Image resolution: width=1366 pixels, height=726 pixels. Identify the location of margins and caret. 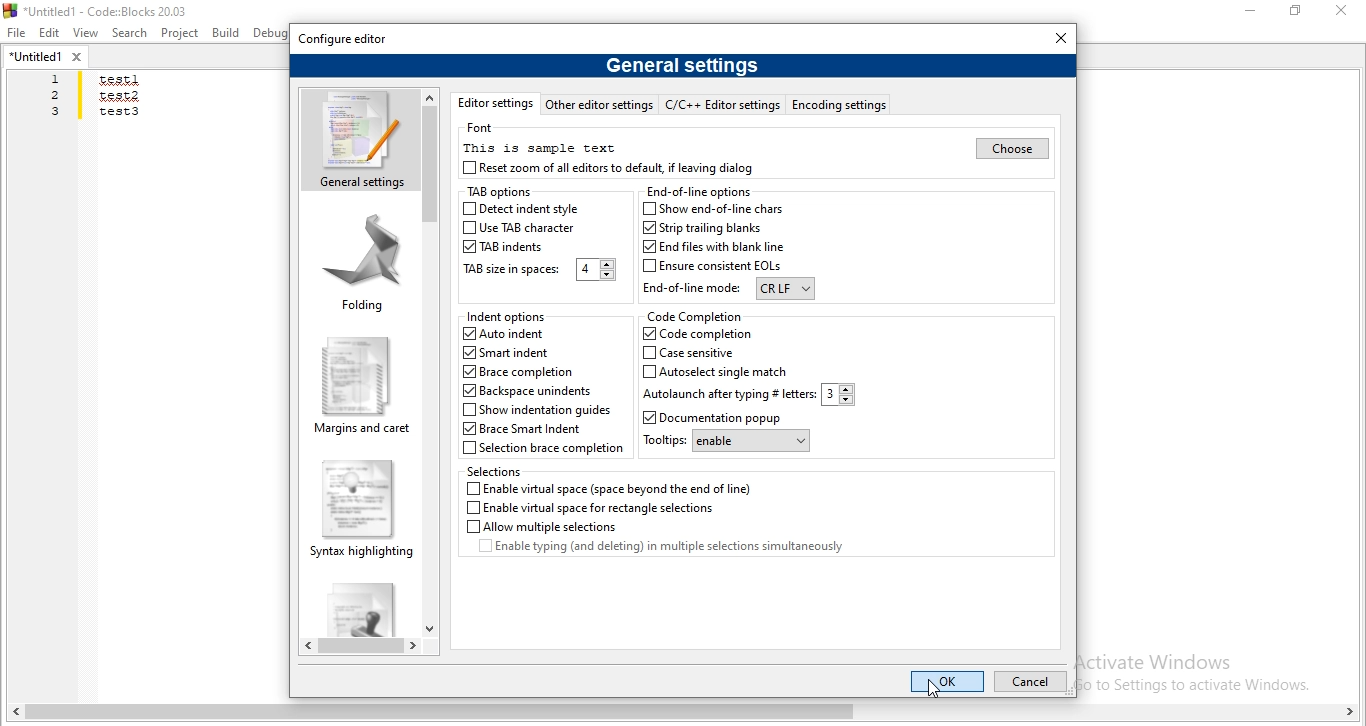
(359, 386).